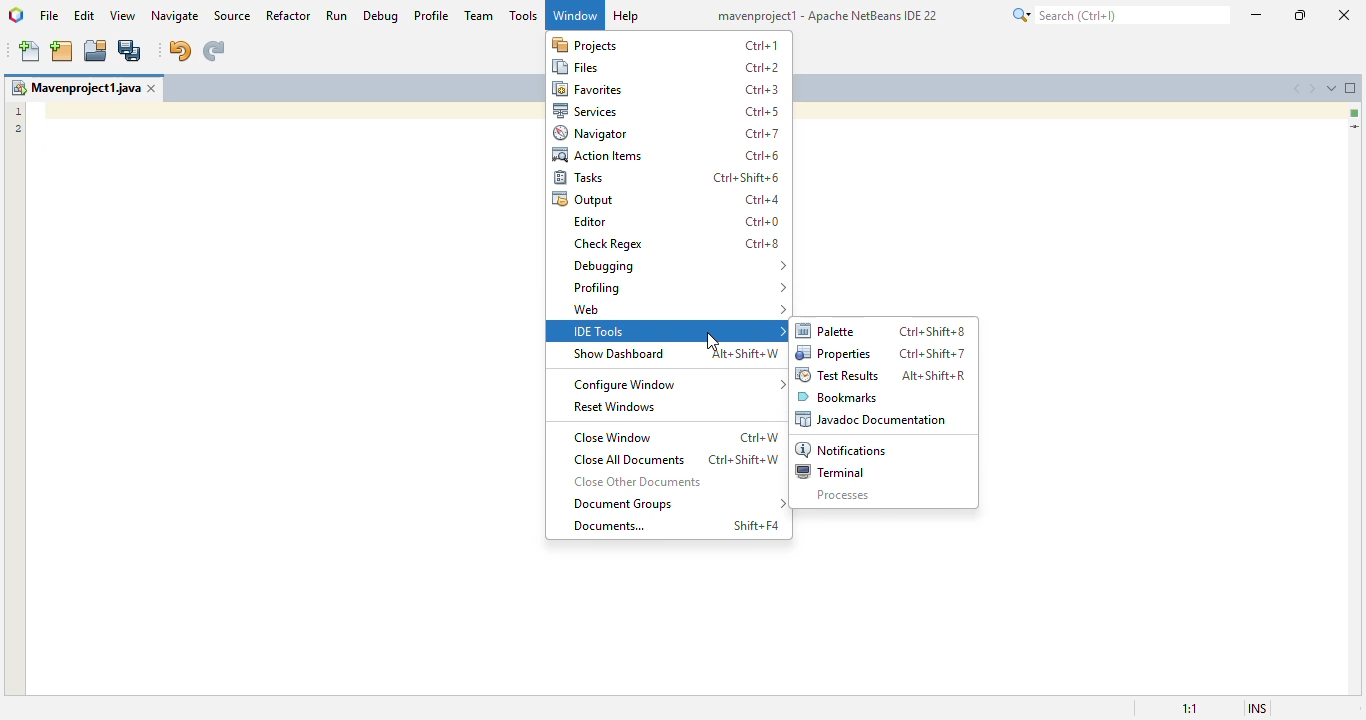  Describe the element at coordinates (593, 133) in the screenshot. I see `navigator` at that location.